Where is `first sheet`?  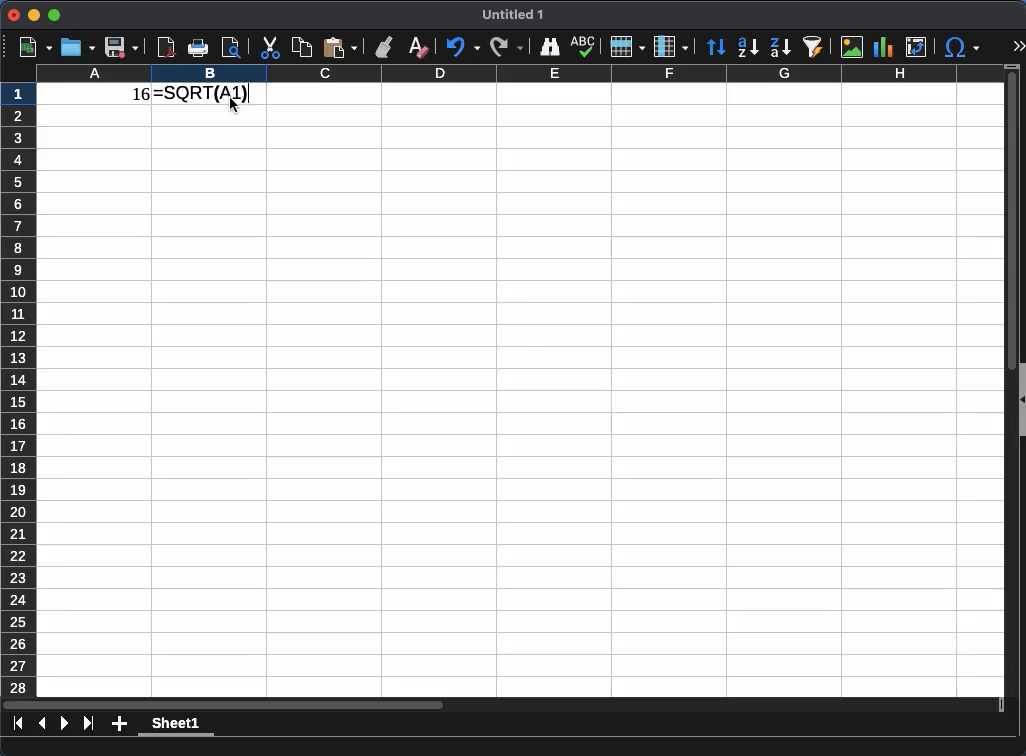 first sheet is located at coordinates (19, 723).